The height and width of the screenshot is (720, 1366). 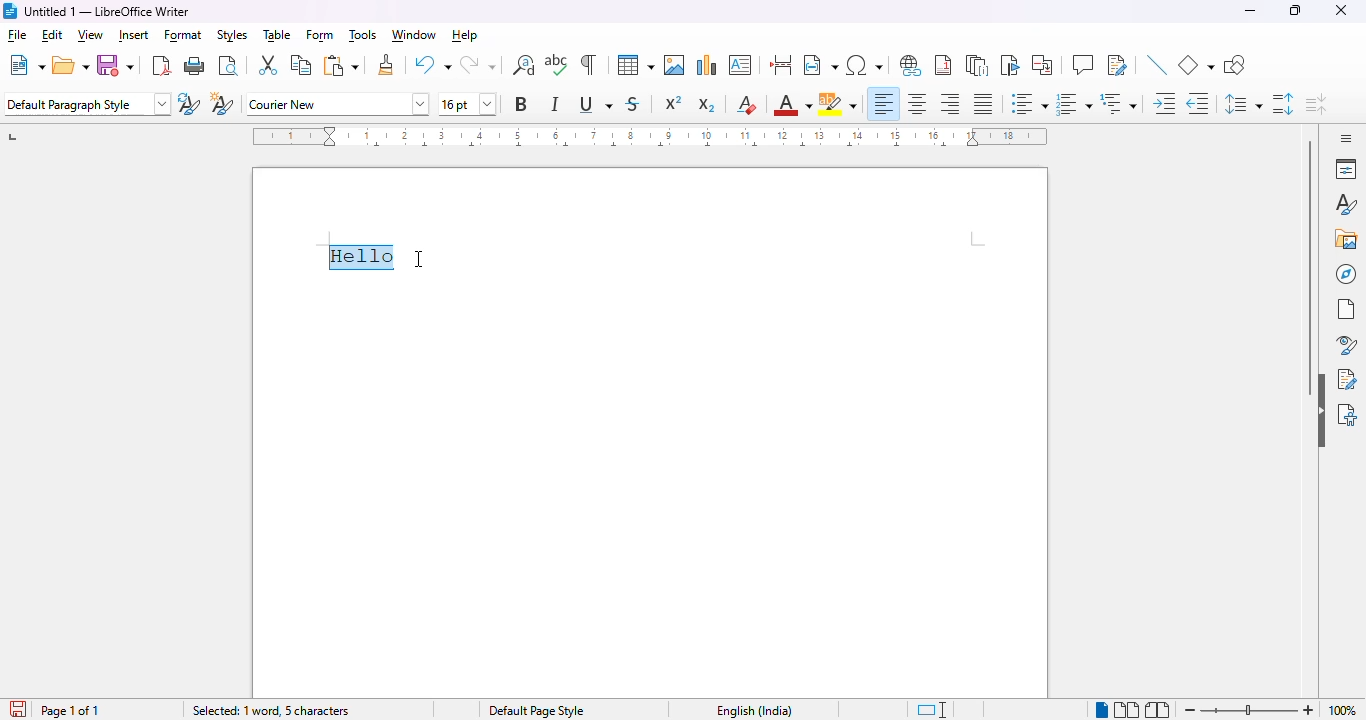 I want to click on find and replace, so click(x=524, y=65).